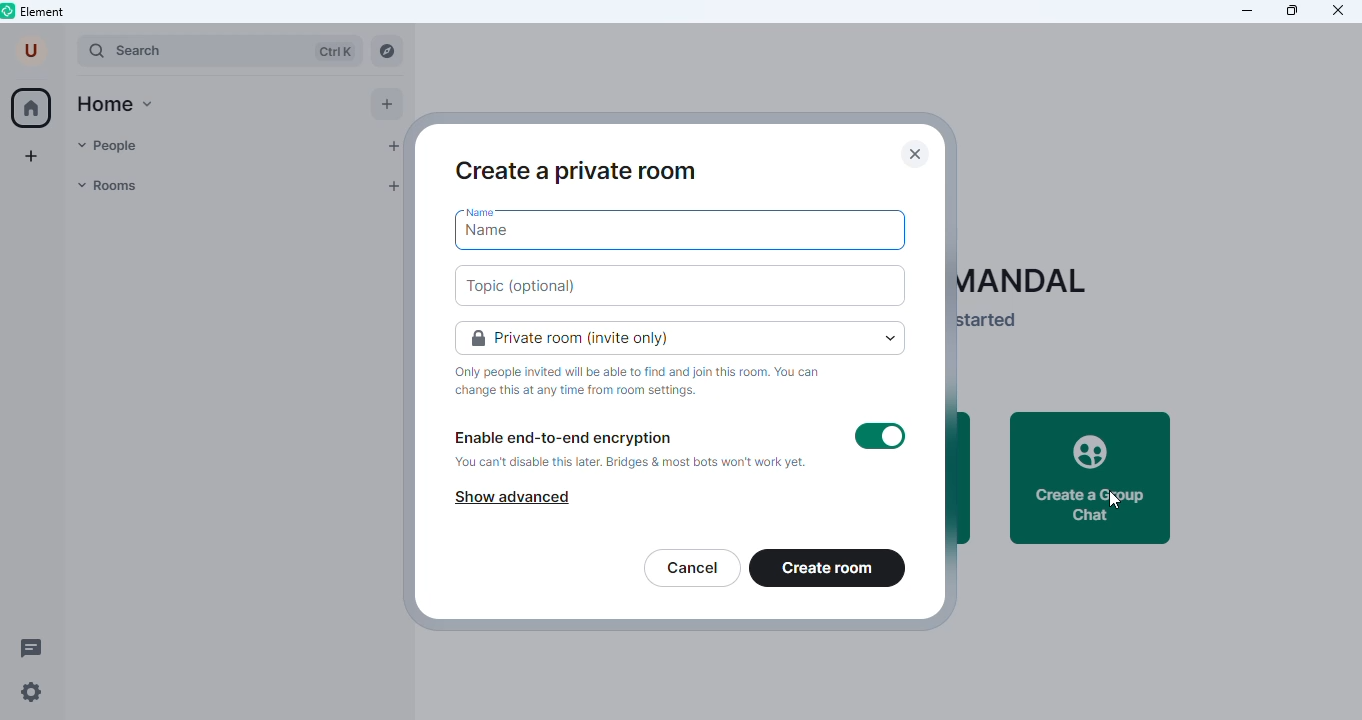 The image size is (1362, 720). What do you see at coordinates (32, 647) in the screenshot?
I see `threads` at bounding box center [32, 647].